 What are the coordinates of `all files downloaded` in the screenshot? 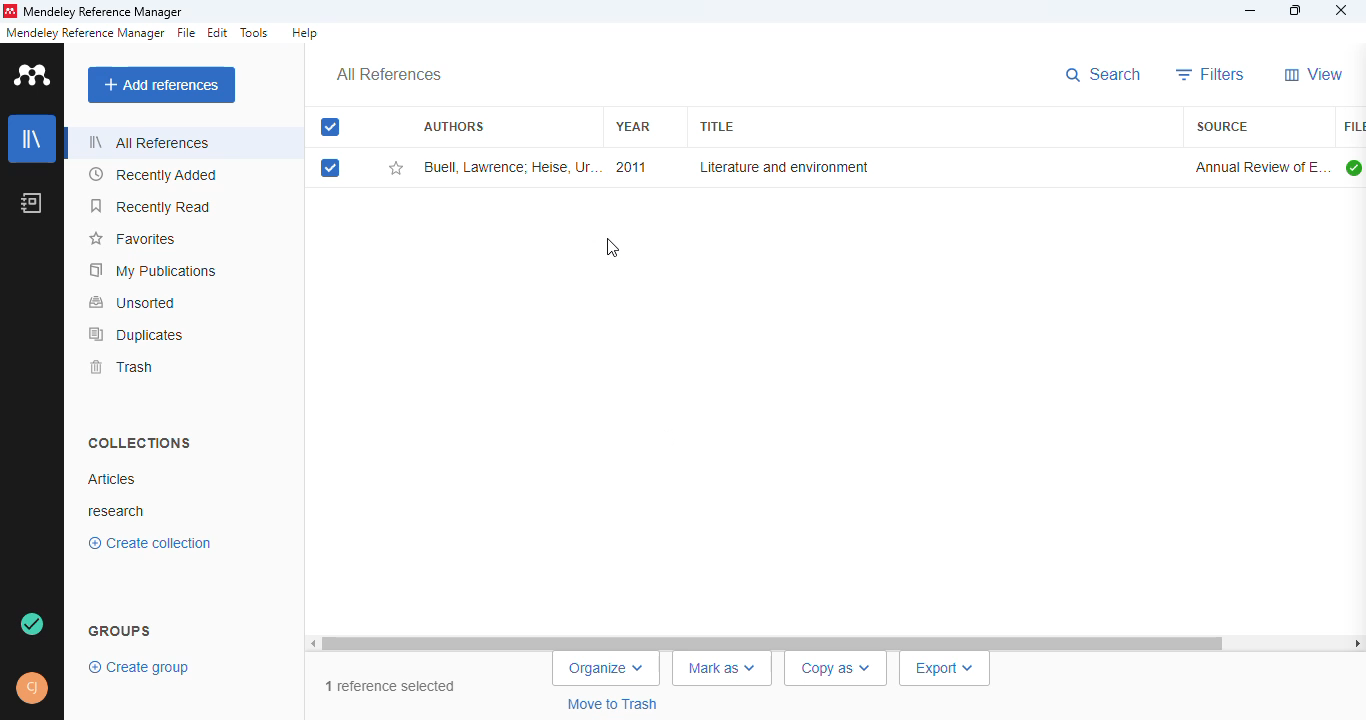 It's located at (1354, 167).